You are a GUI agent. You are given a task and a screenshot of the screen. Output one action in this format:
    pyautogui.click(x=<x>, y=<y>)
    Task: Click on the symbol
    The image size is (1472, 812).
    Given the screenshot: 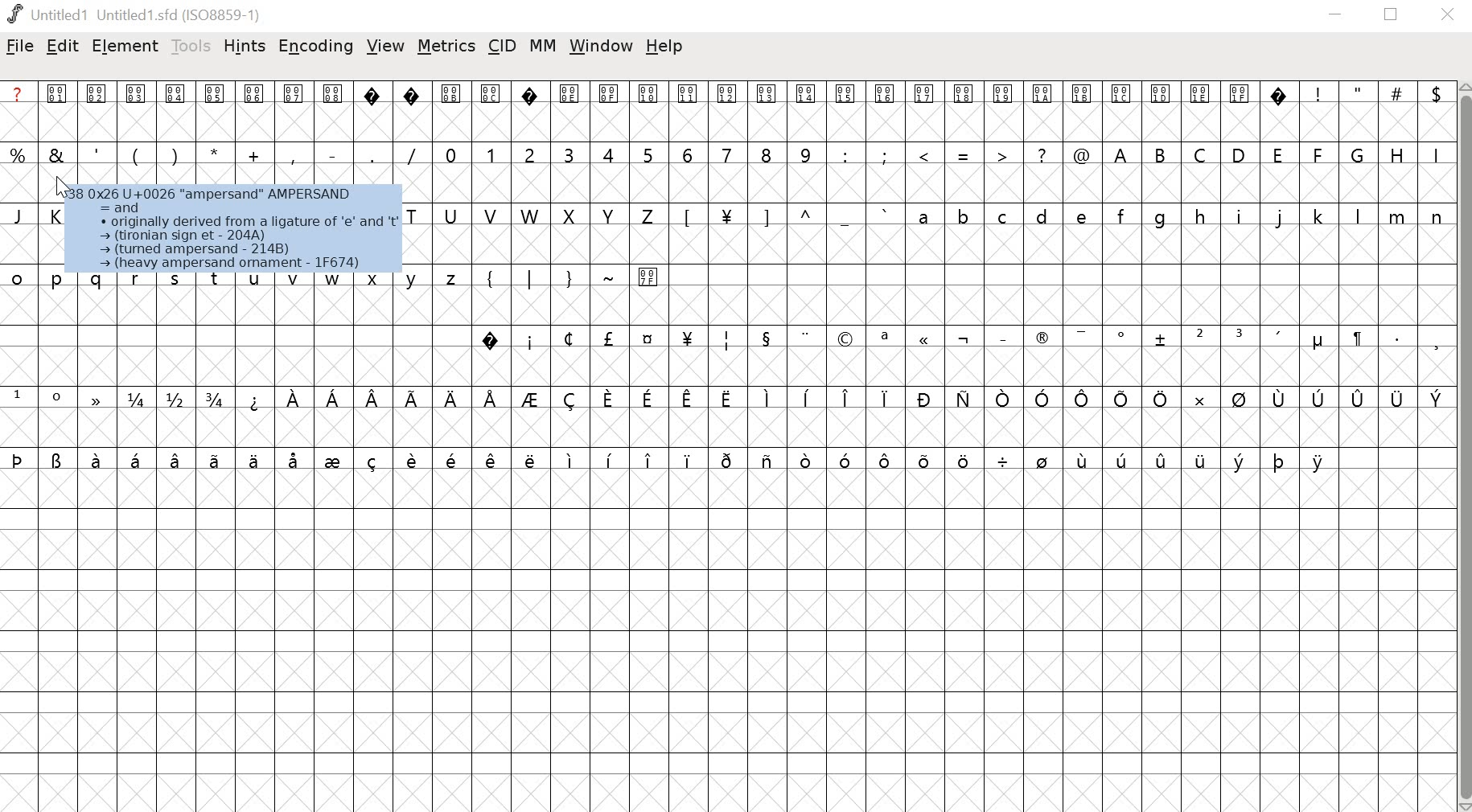 What is the action you would take?
    pyautogui.click(x=374, y=459)
    